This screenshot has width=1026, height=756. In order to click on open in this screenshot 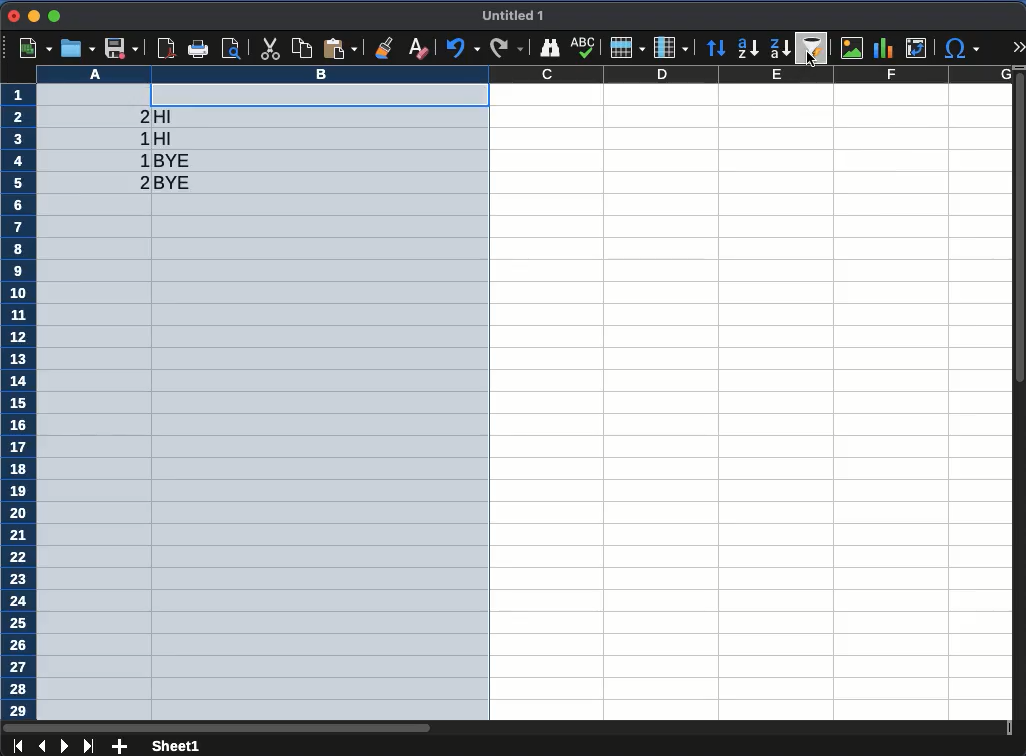, I will do `click(78, 49)`.